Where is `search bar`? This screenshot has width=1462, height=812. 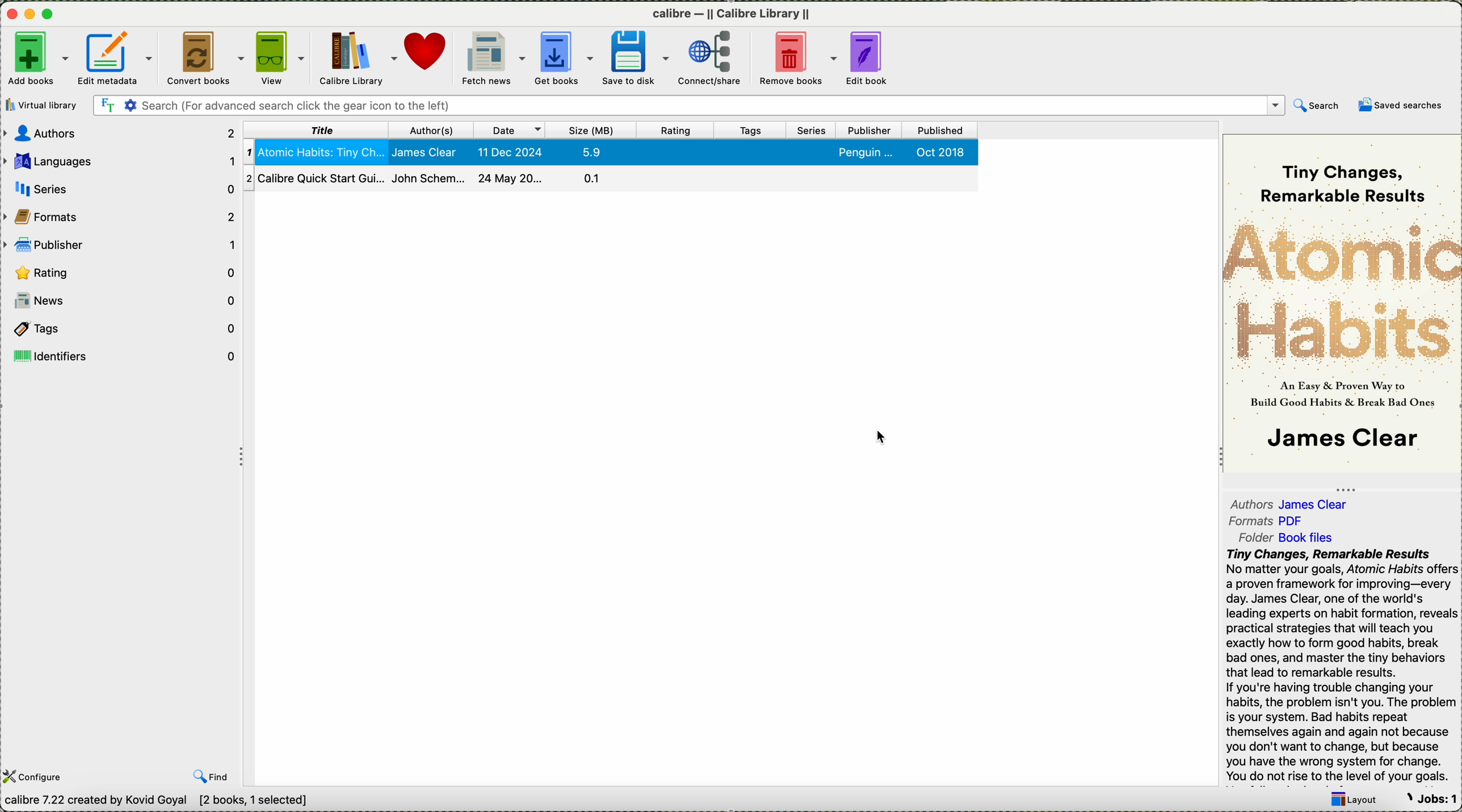
search bar is located at coordinates (715, 106).